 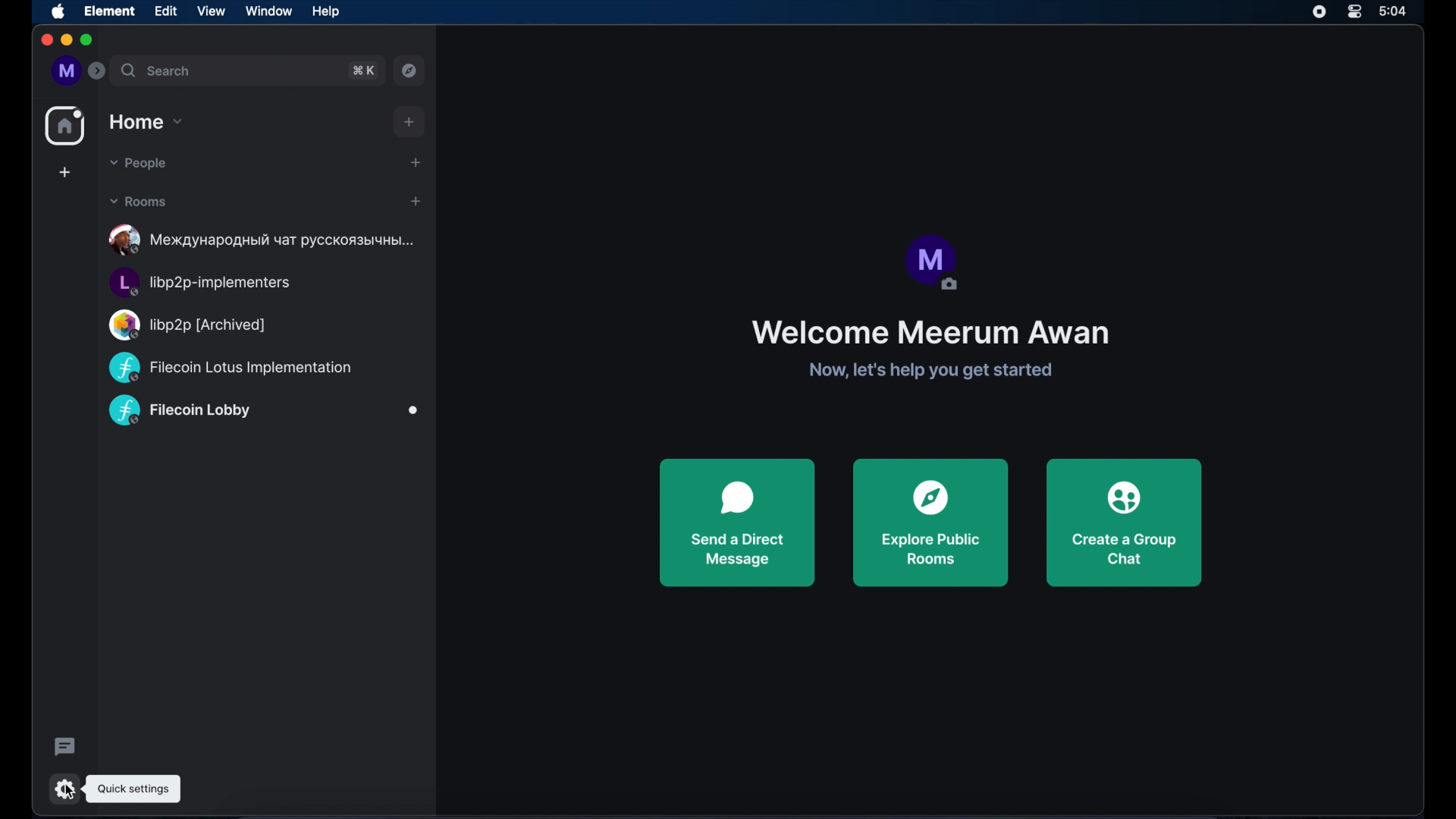 I want to click on start chat, so click(x=416, y=162).